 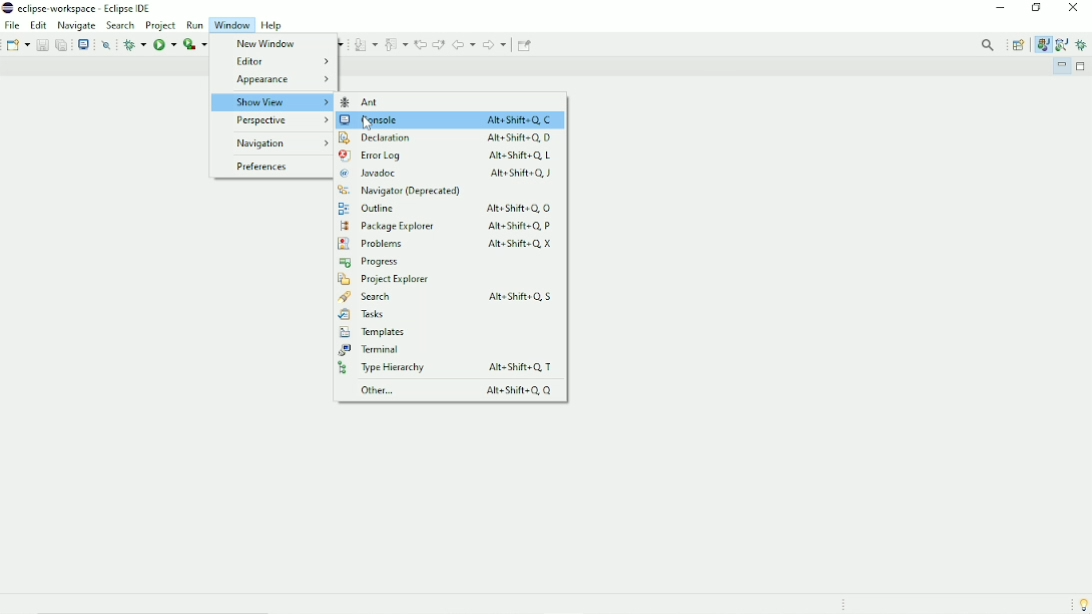 What do you see at coordinates (989, 44) in the screenshot?
I see `Access commands and other items` at bounding box center [989, 44].